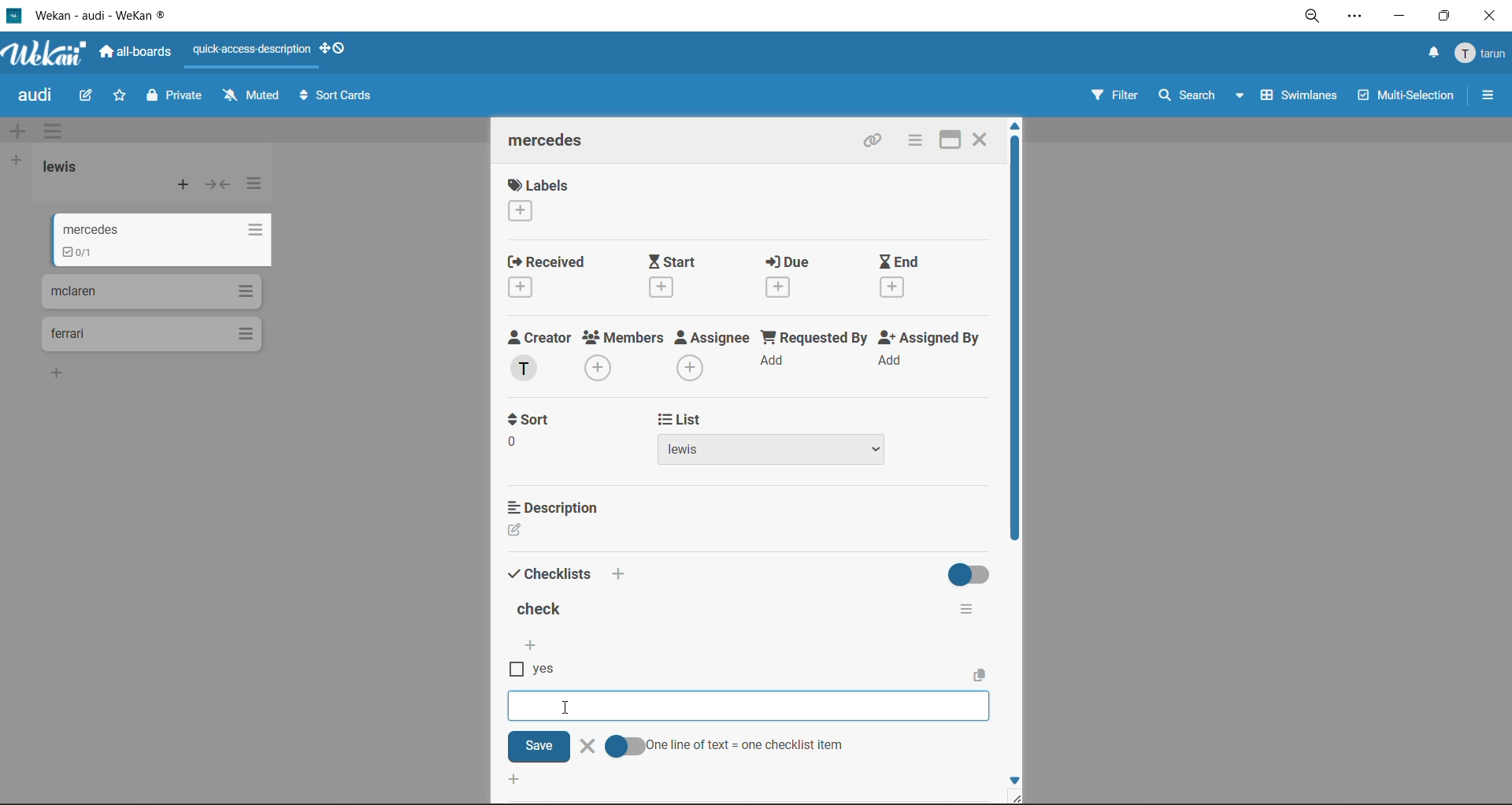  I want to click on sort cards, so click(339, 98).